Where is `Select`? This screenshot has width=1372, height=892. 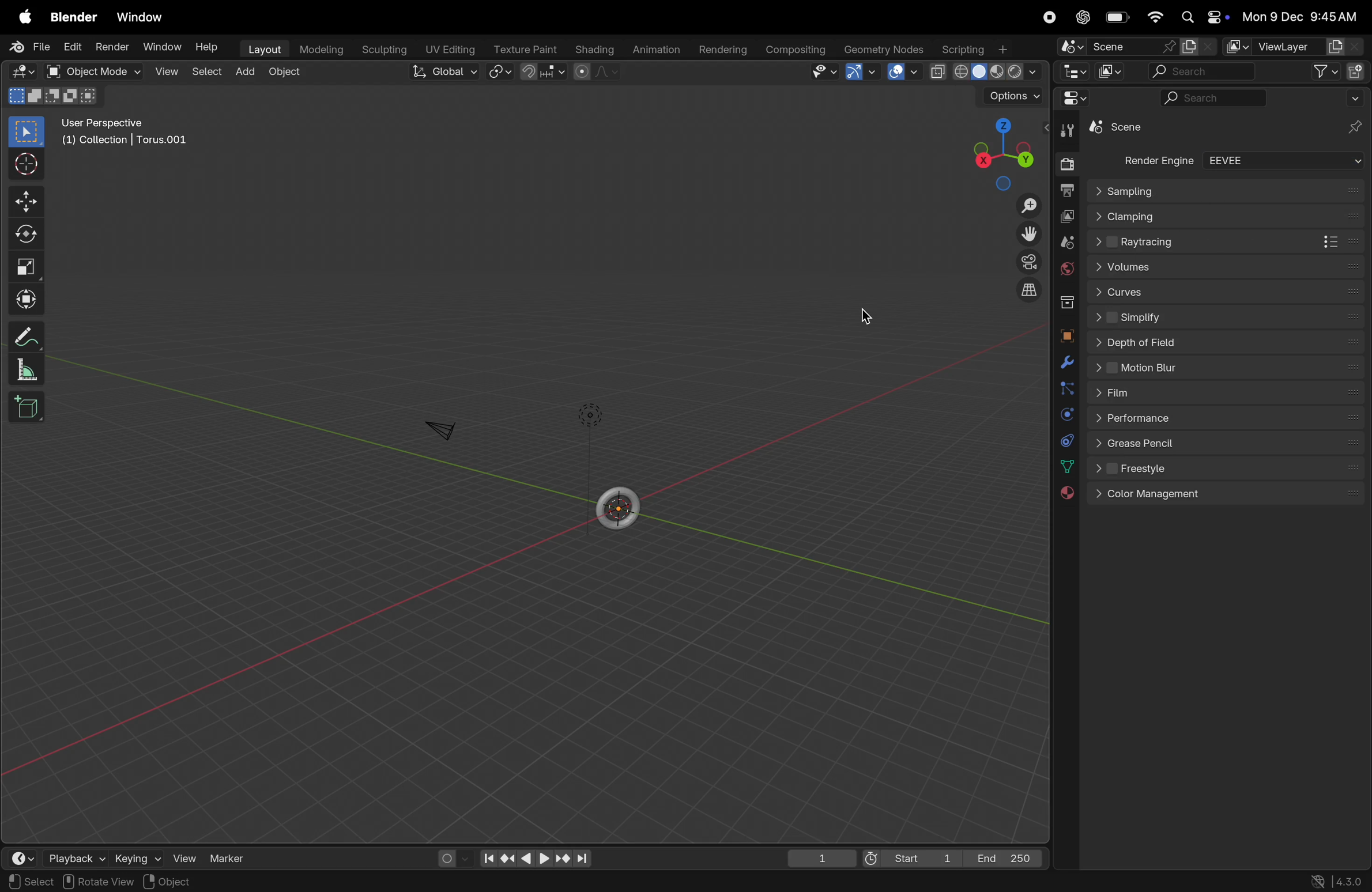
Select is located at coordinates (31, 883).